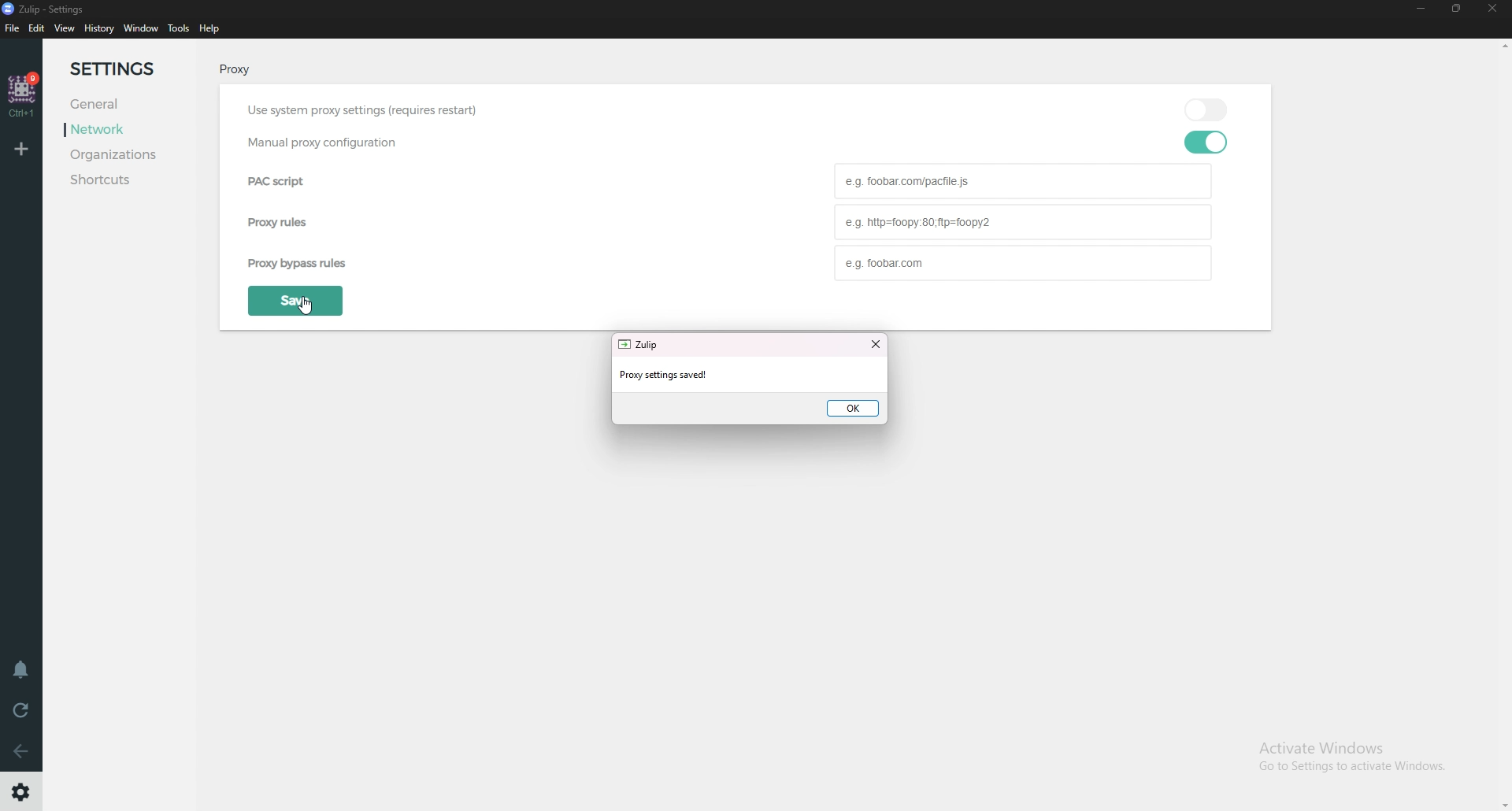  I want to click on Window, so click(140, 29).